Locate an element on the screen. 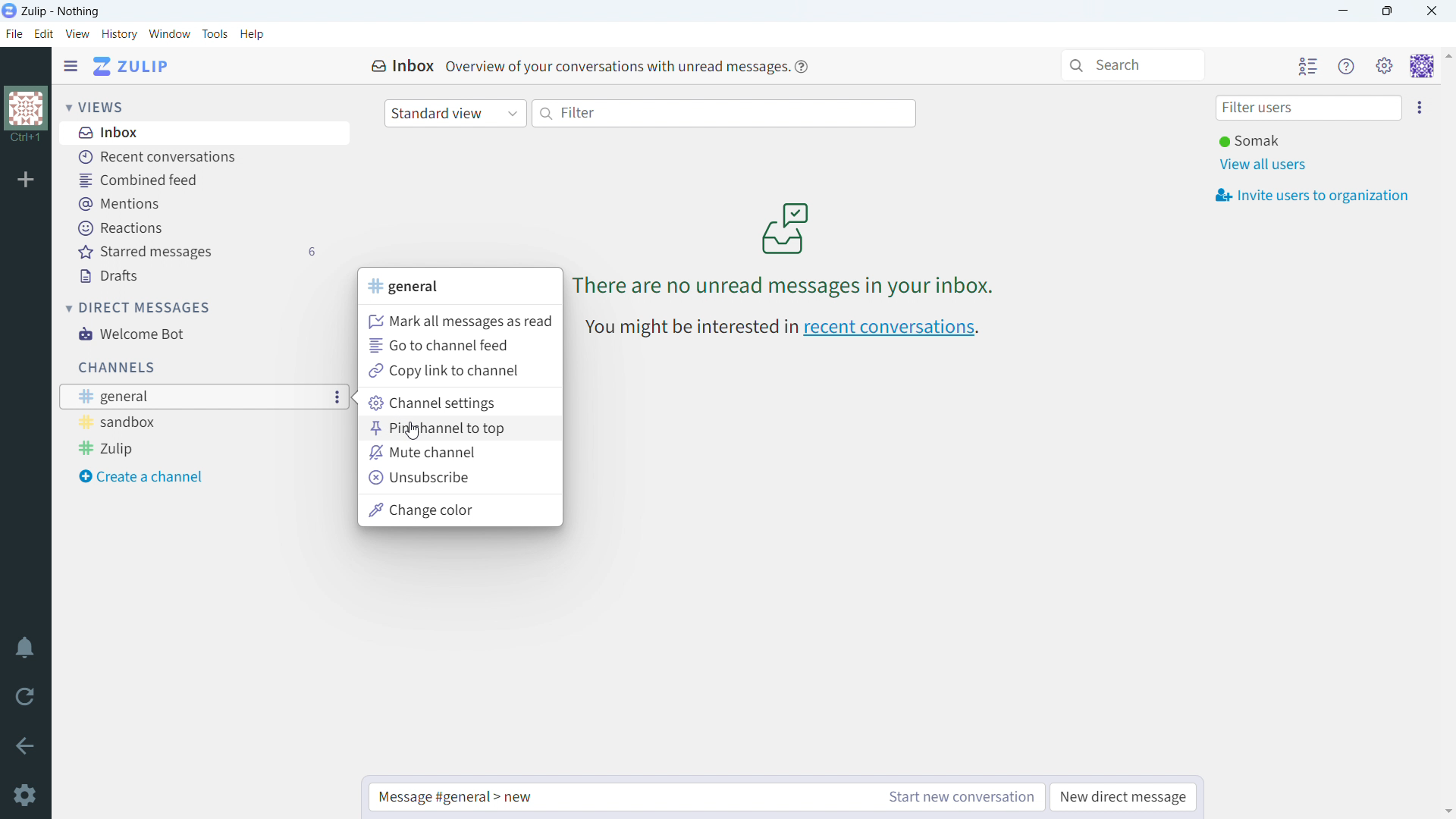  inbox is located at coordinates (403, 67).